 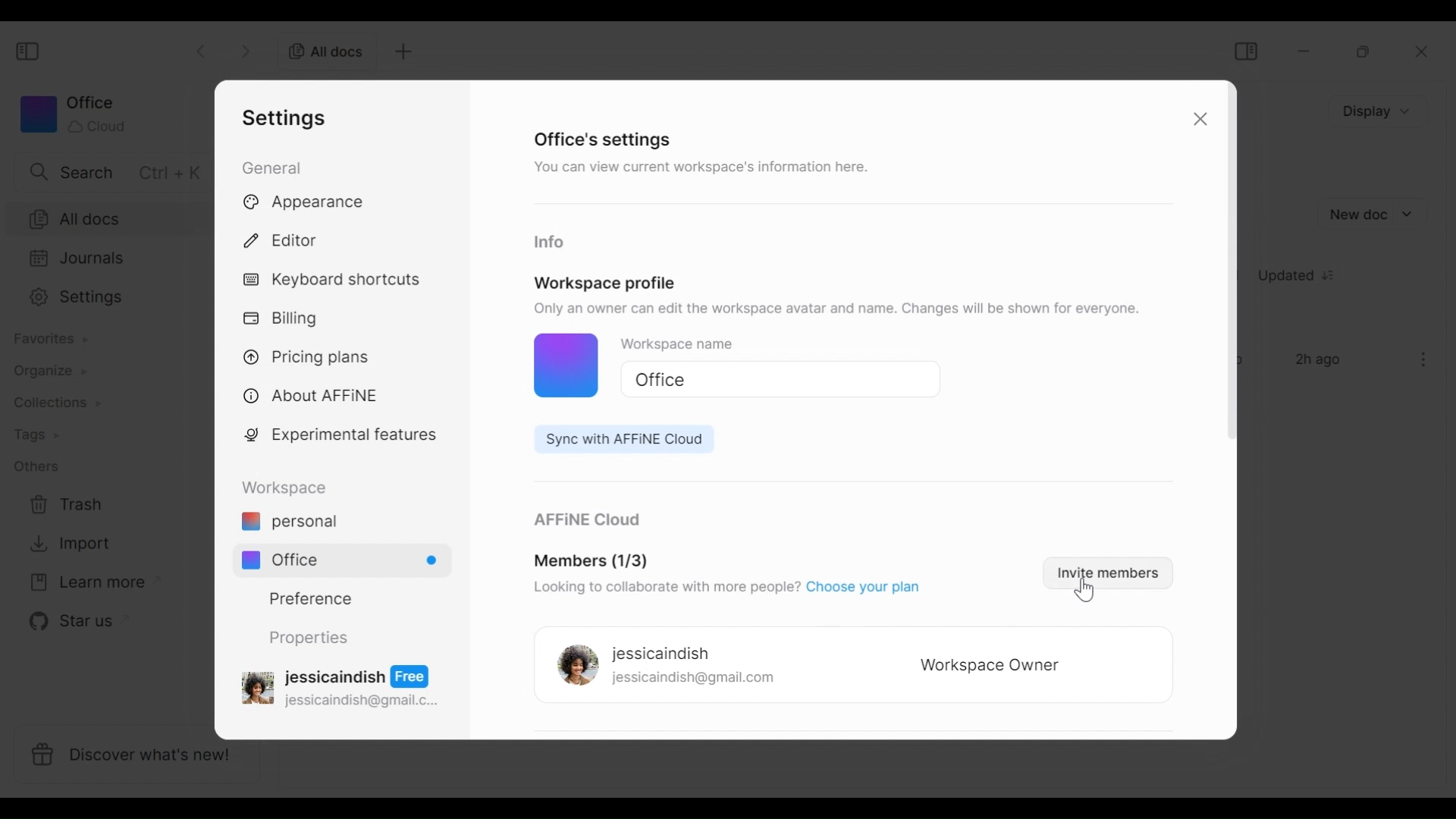 I want to click on General, so click(x=275, y=167).